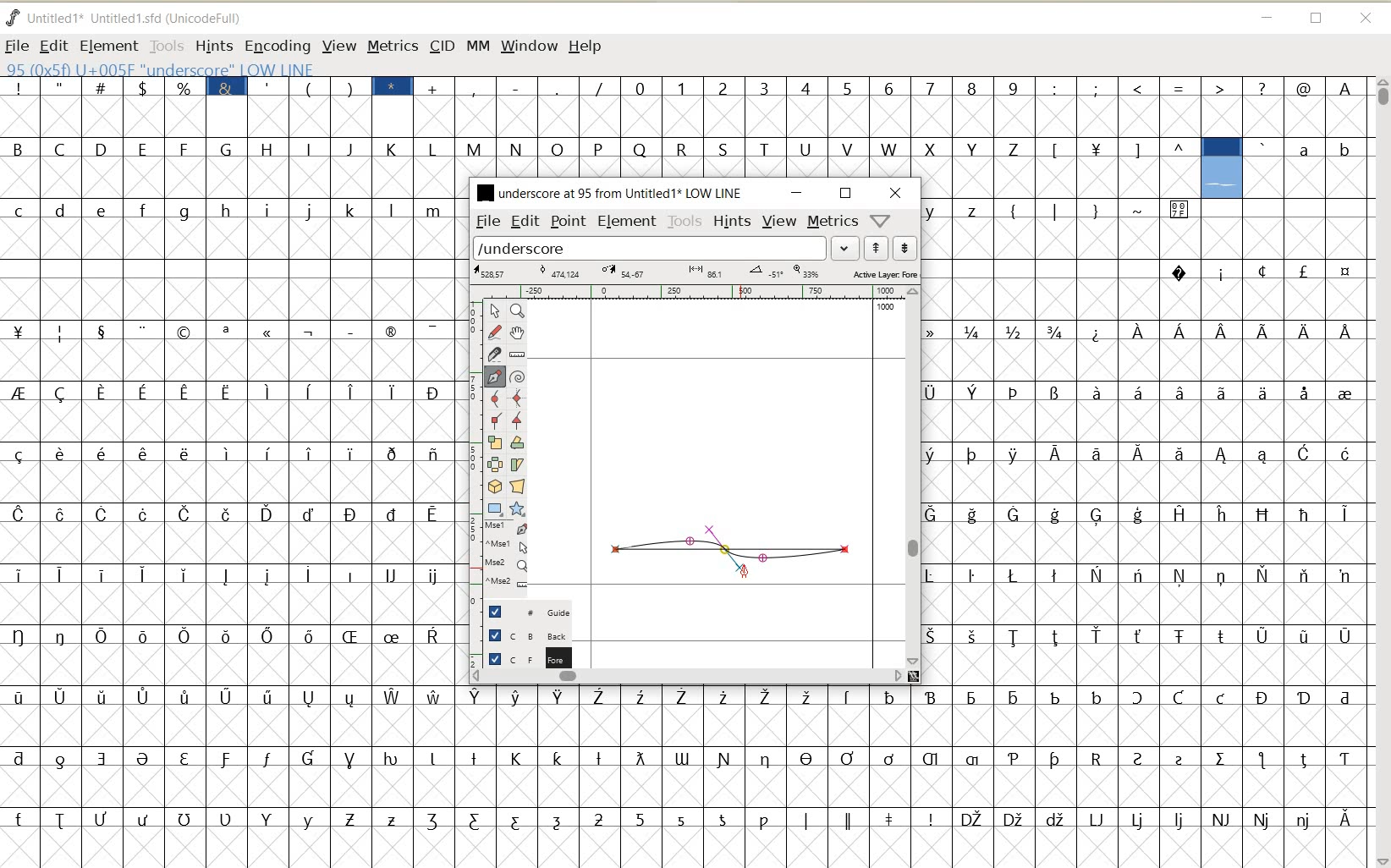 The height and width of the screenshot is (868, 1391). I want to click on FONT NAME, so click(138, 18).